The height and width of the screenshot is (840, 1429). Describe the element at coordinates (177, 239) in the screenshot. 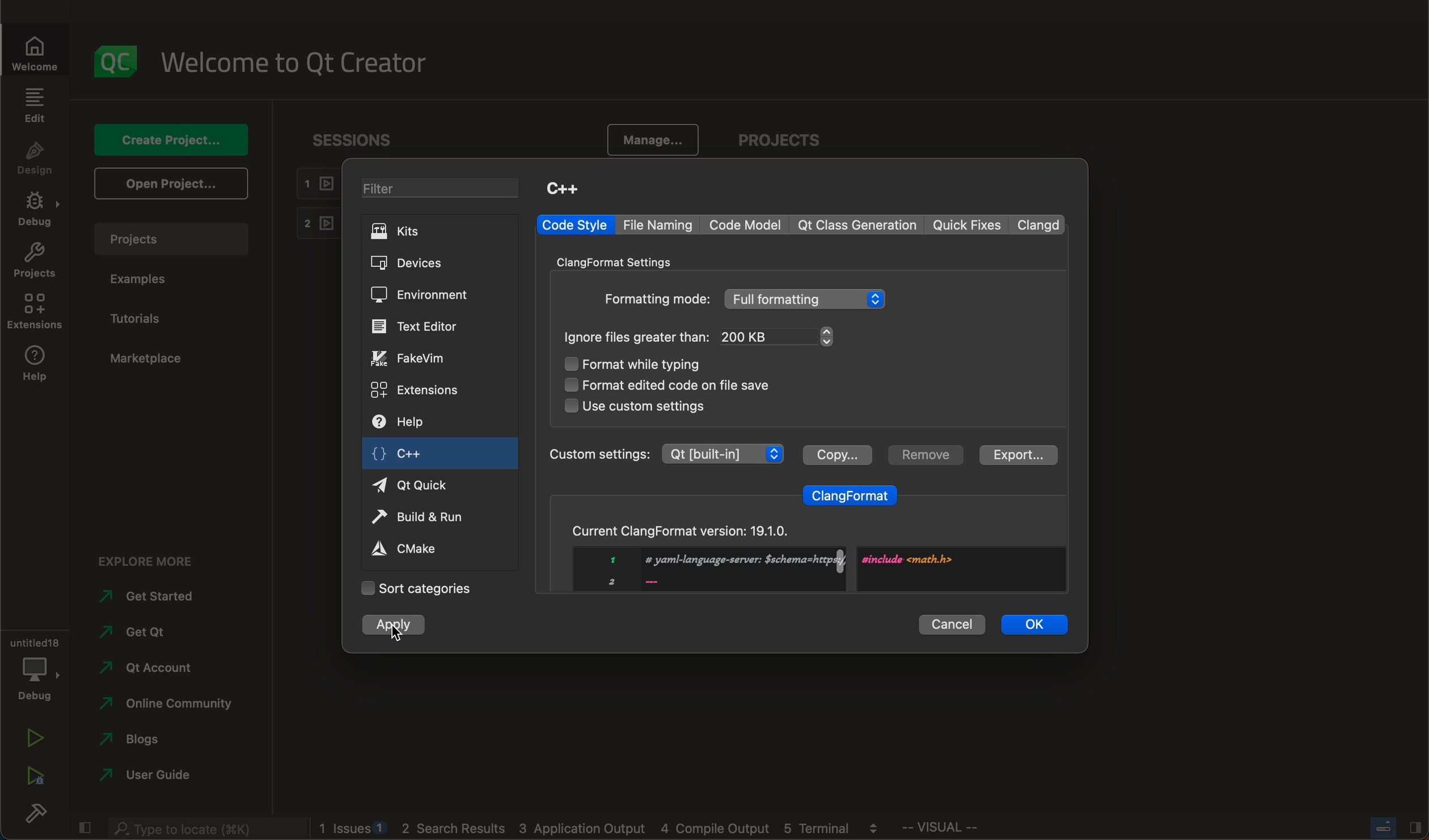

I see `projects` at that location.